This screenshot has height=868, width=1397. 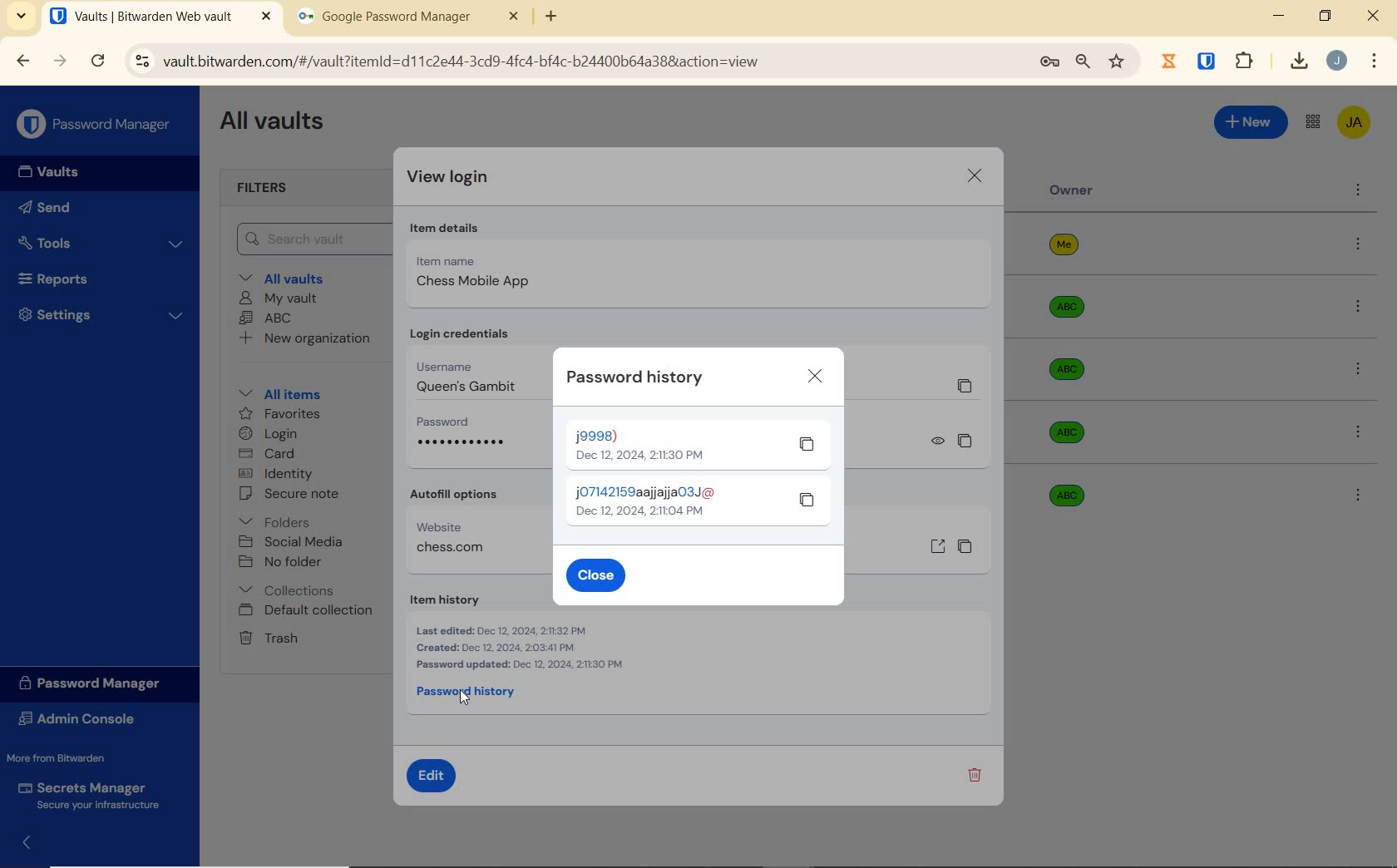 I want to click on login, so click(x=272, y=434).